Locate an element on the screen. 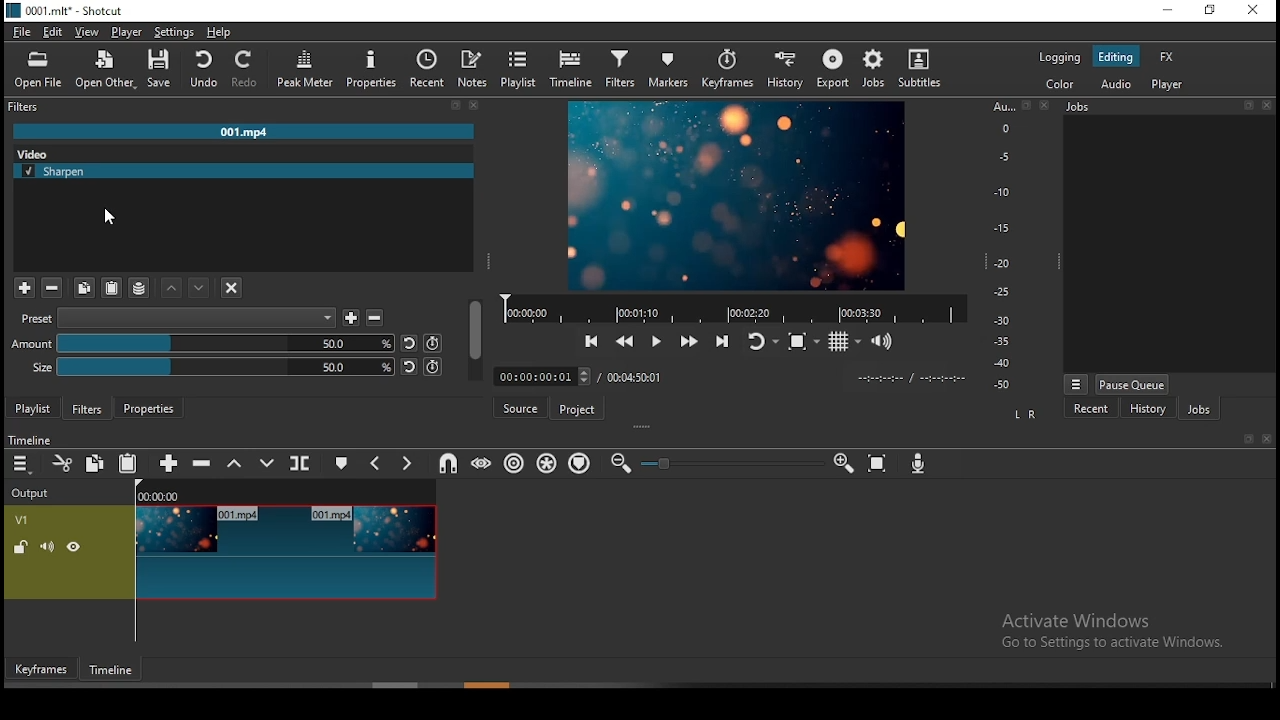  minimize is located at coordinates (1171, 11).